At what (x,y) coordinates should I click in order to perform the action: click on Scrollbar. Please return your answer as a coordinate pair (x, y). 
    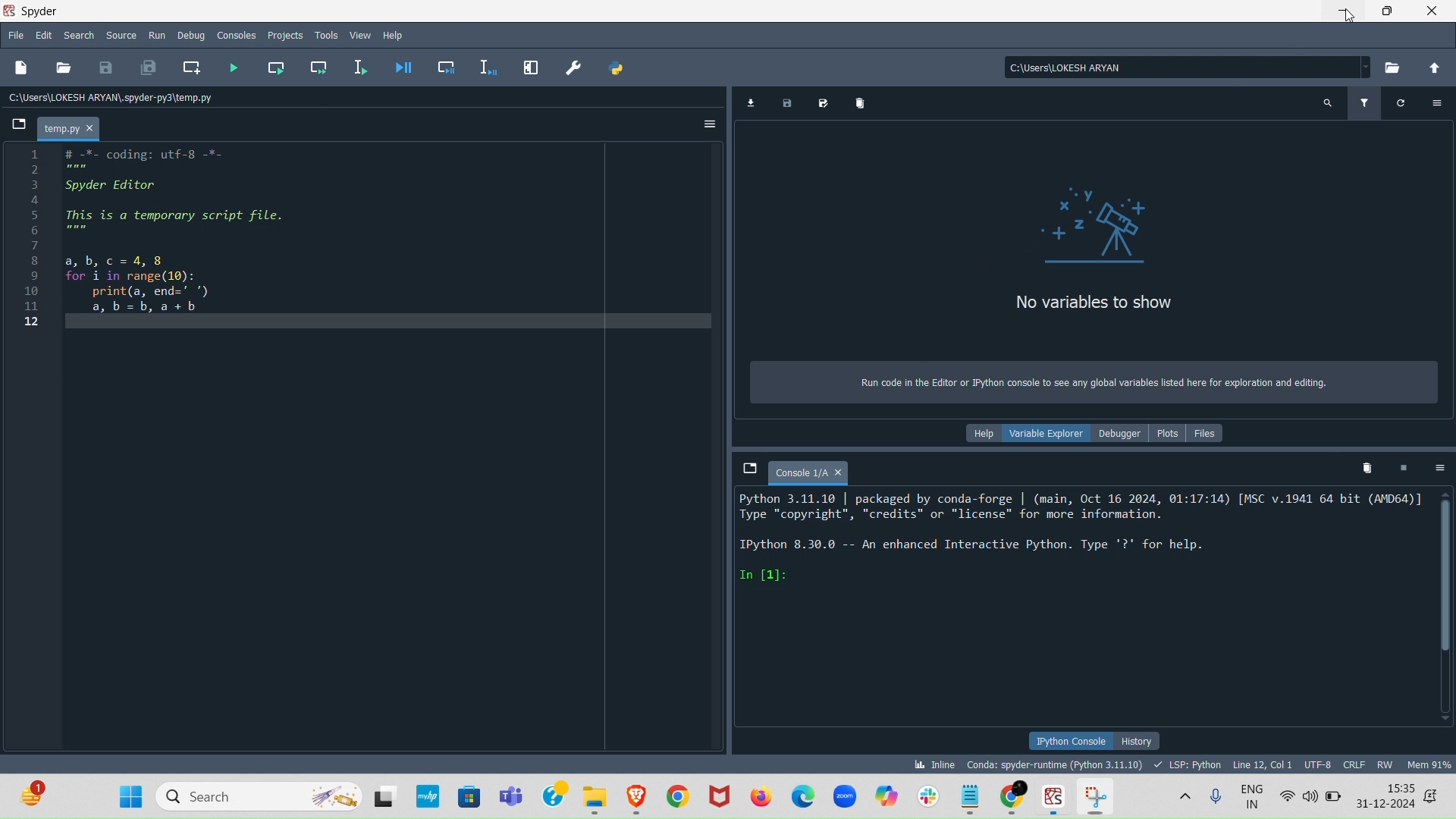
    Looking at the image, I should click on (1448, 617).